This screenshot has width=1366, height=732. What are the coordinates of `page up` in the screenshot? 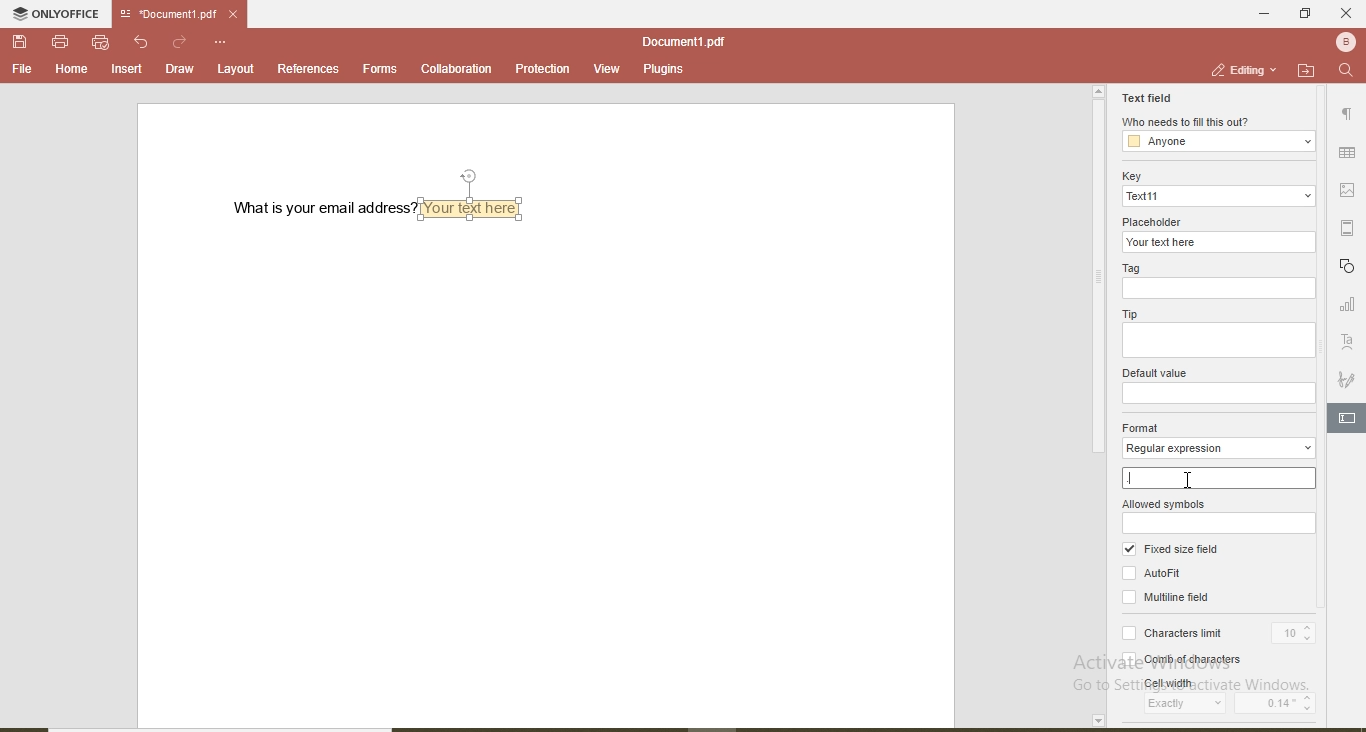 It's located at (1098, 92).